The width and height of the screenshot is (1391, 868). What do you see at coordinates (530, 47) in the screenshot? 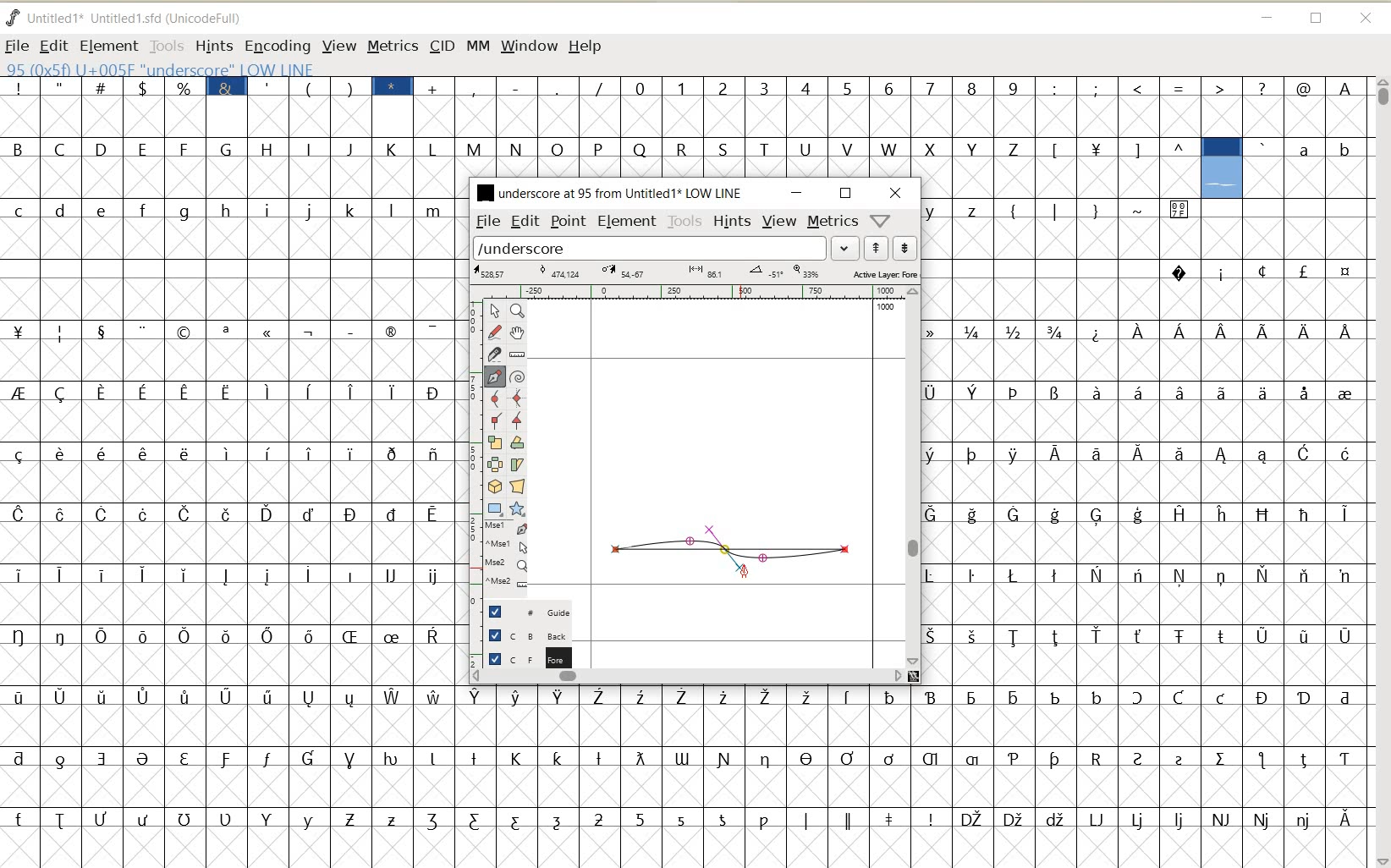
I see `WINDOW` at bounding box center [530, 47].